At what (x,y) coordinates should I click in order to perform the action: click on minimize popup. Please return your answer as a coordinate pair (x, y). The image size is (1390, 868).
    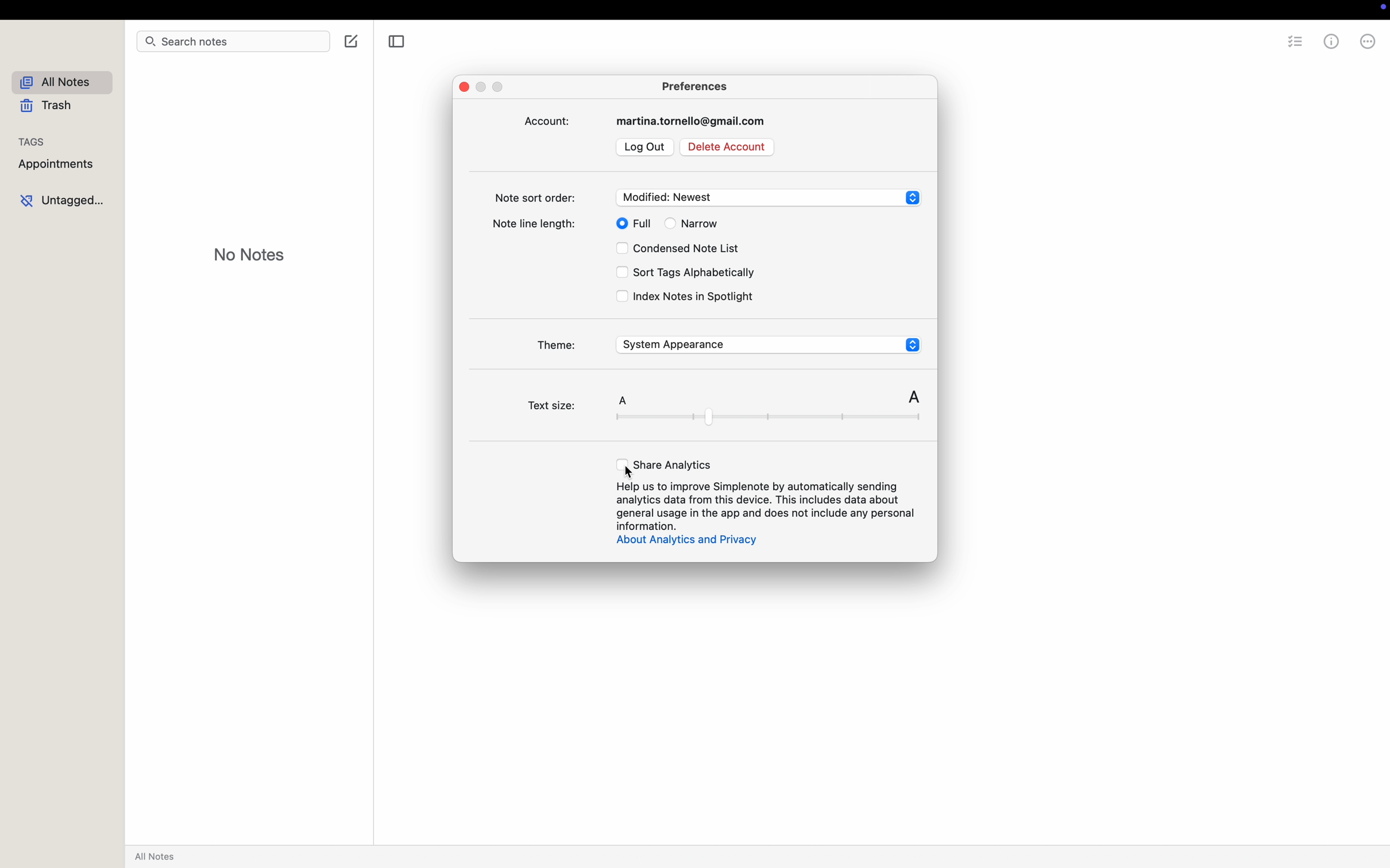
    Looking at the image, I should click on (482, 87).